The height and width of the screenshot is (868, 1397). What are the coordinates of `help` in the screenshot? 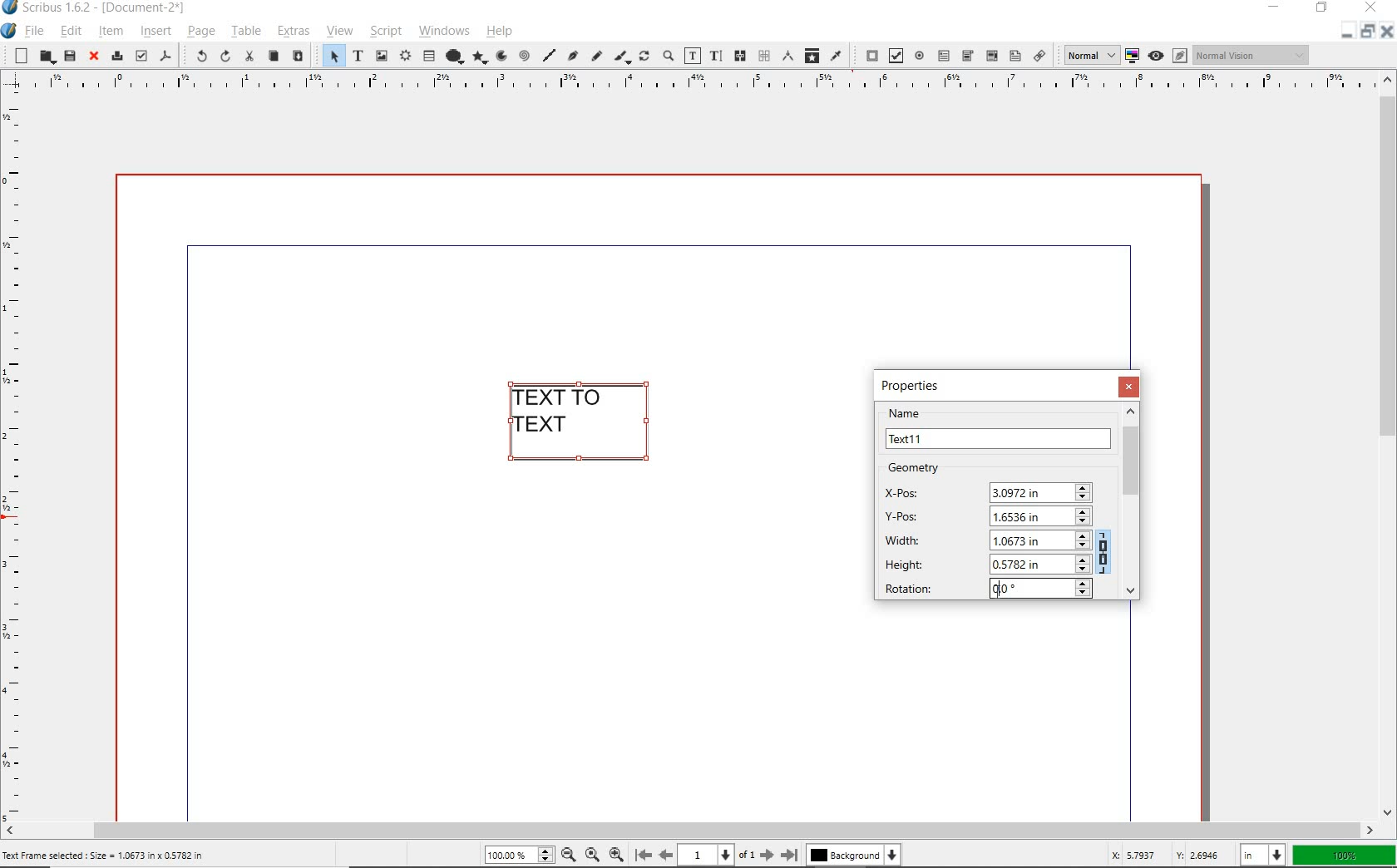 It's located at (499, 33).